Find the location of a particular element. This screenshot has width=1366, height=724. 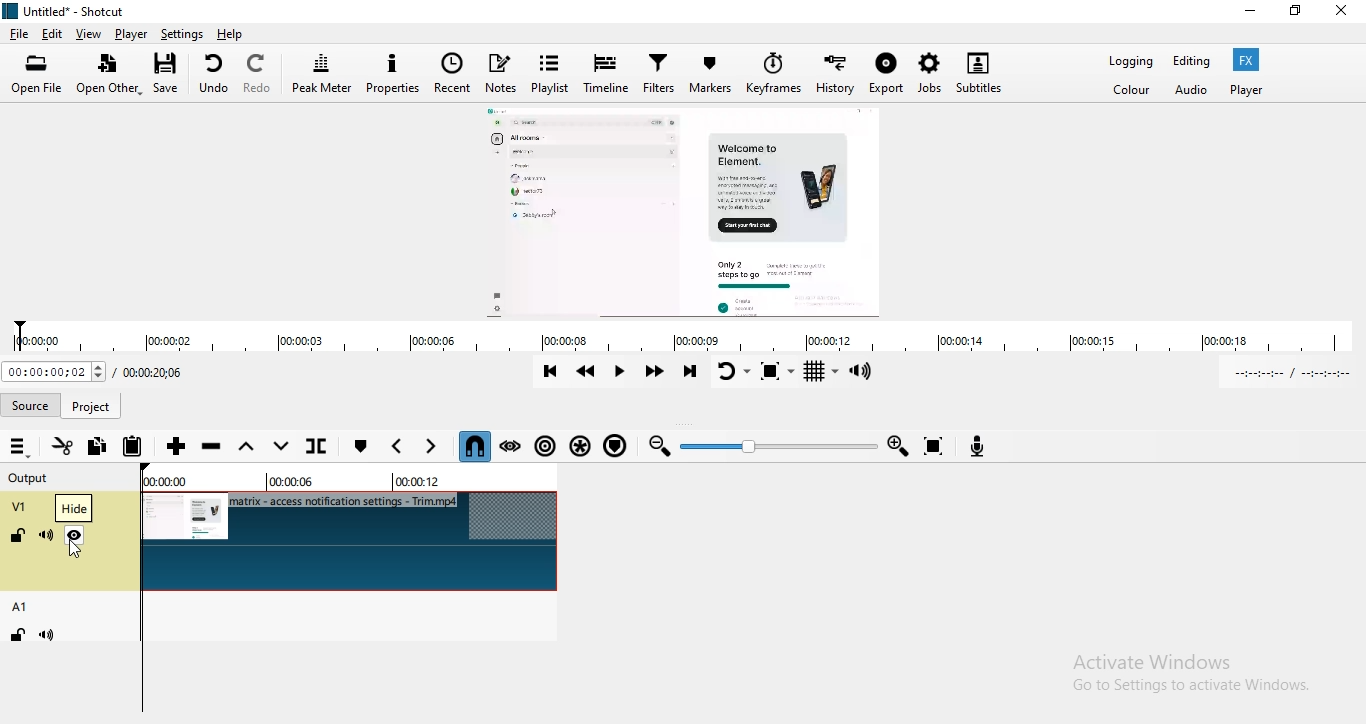

Toggle player looping  is located at coordinates (731, 371).